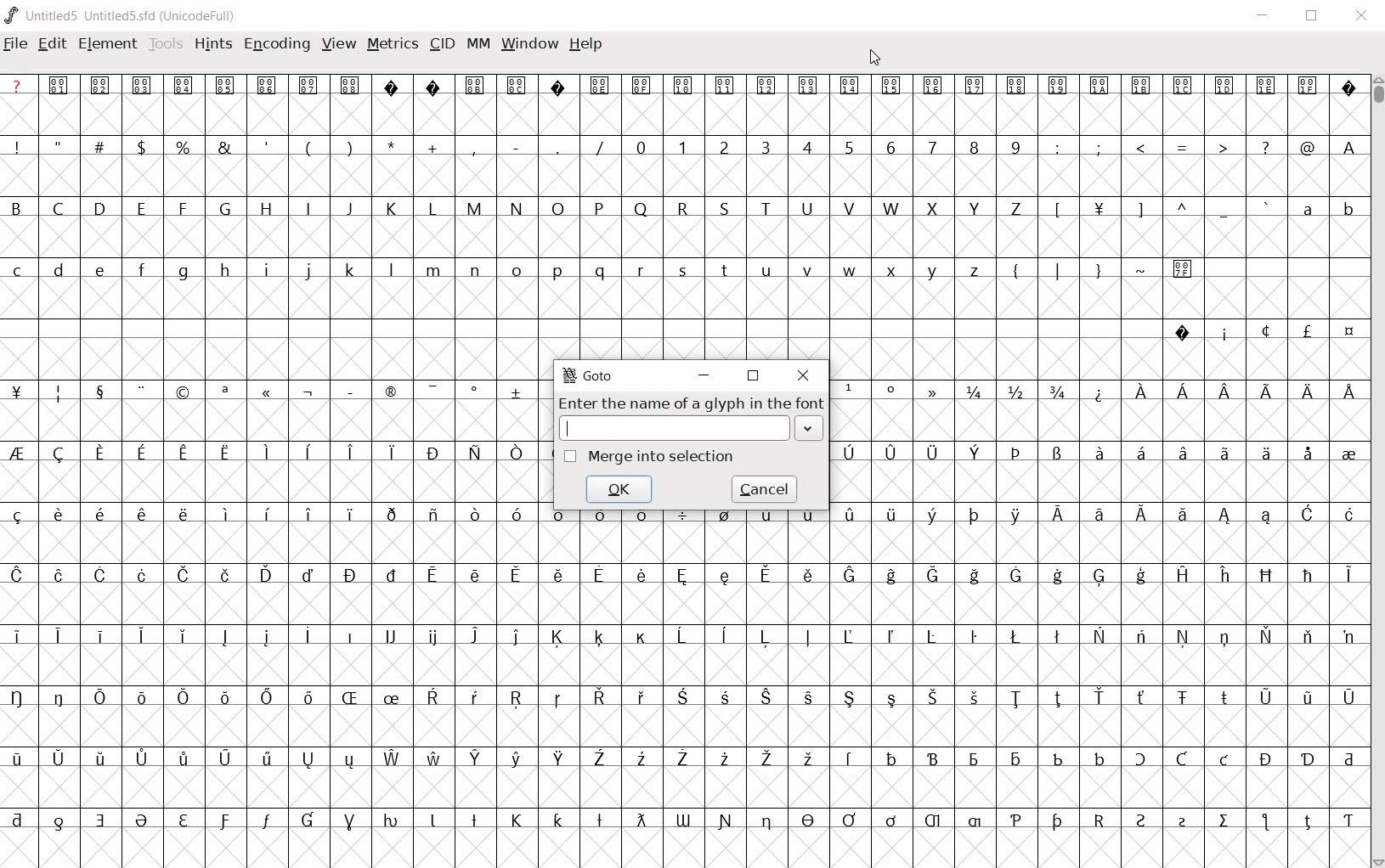  What do you see at coordinates (638, 209) in the screenshot?
I see `Q` at bounding box center [638, 209].